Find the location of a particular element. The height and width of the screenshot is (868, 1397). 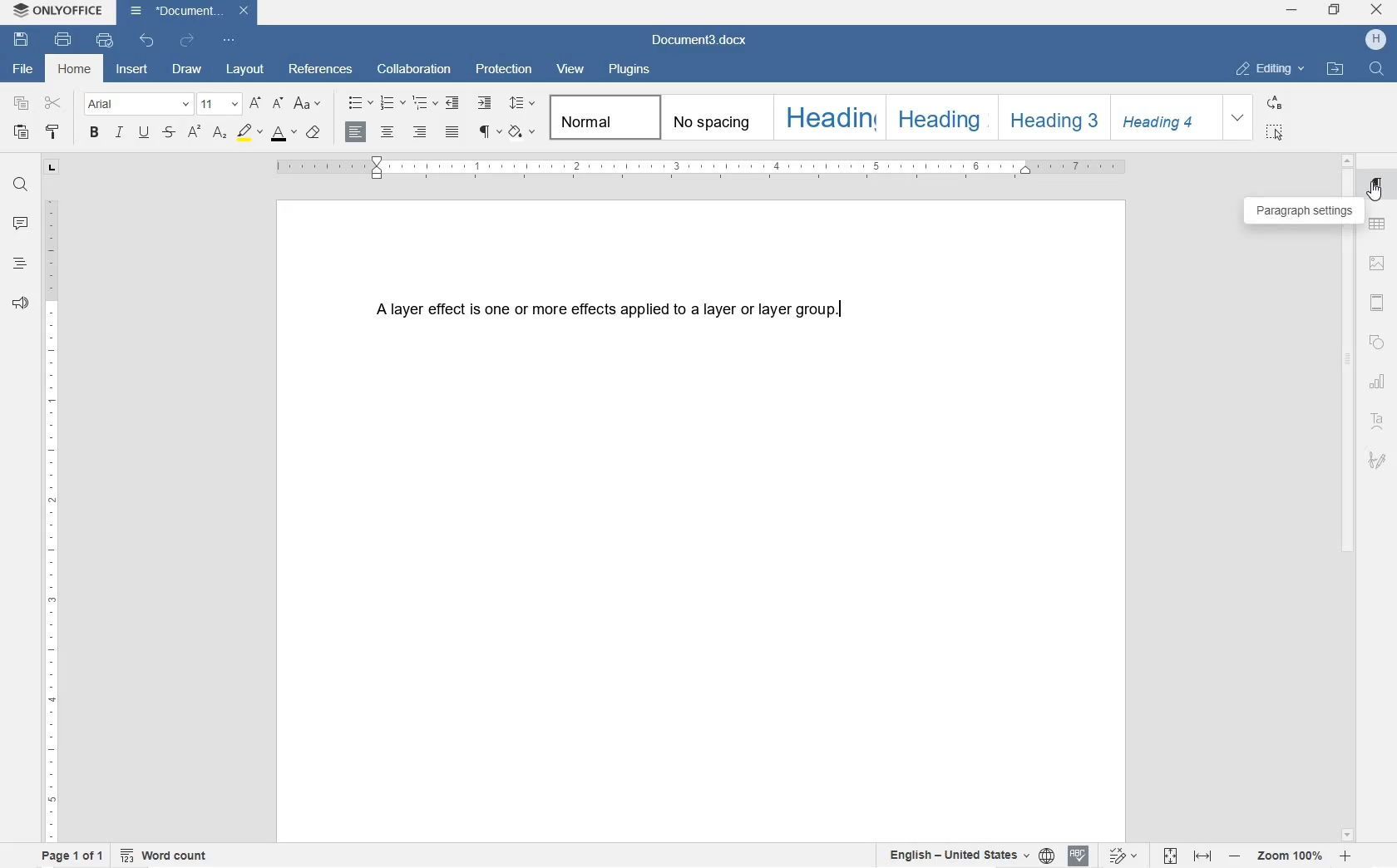

HEADING 4 is located at coordinates (1164, 117).